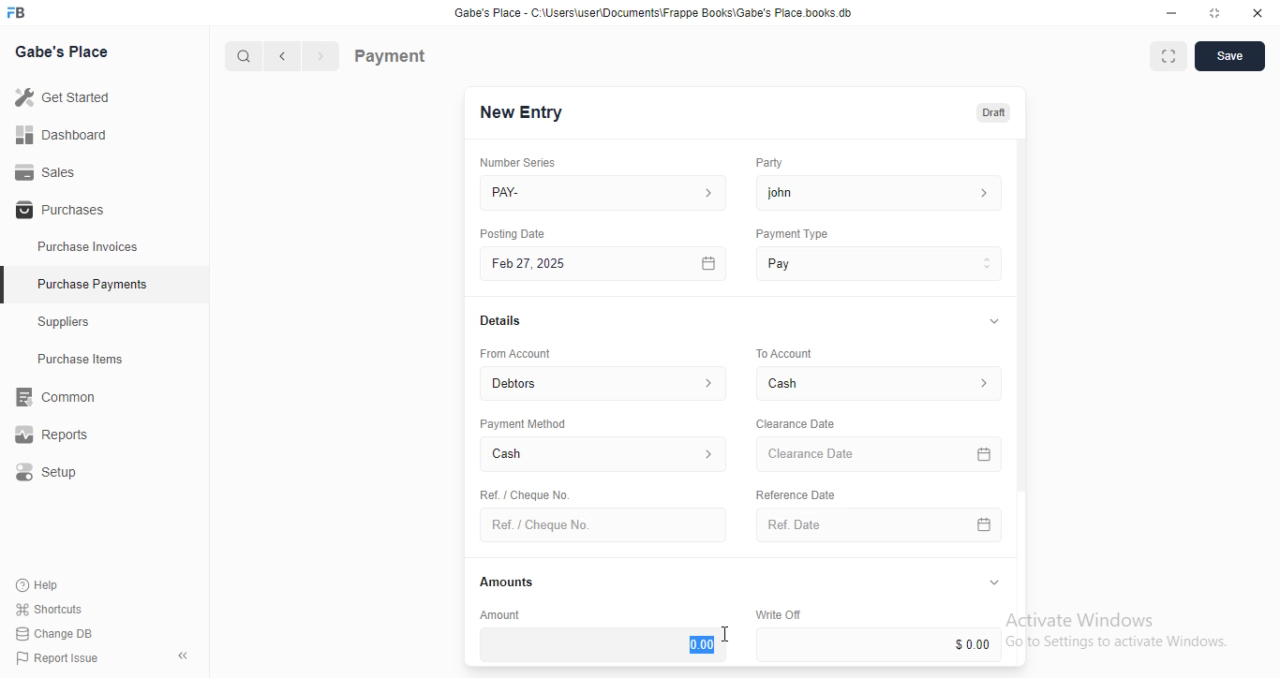 The width and height of the screenshot is (1280, 678). What do you see at coordinates (182, 655) in the screenshot?
I see `collapse sidebar` at bounding box center [182, 655].